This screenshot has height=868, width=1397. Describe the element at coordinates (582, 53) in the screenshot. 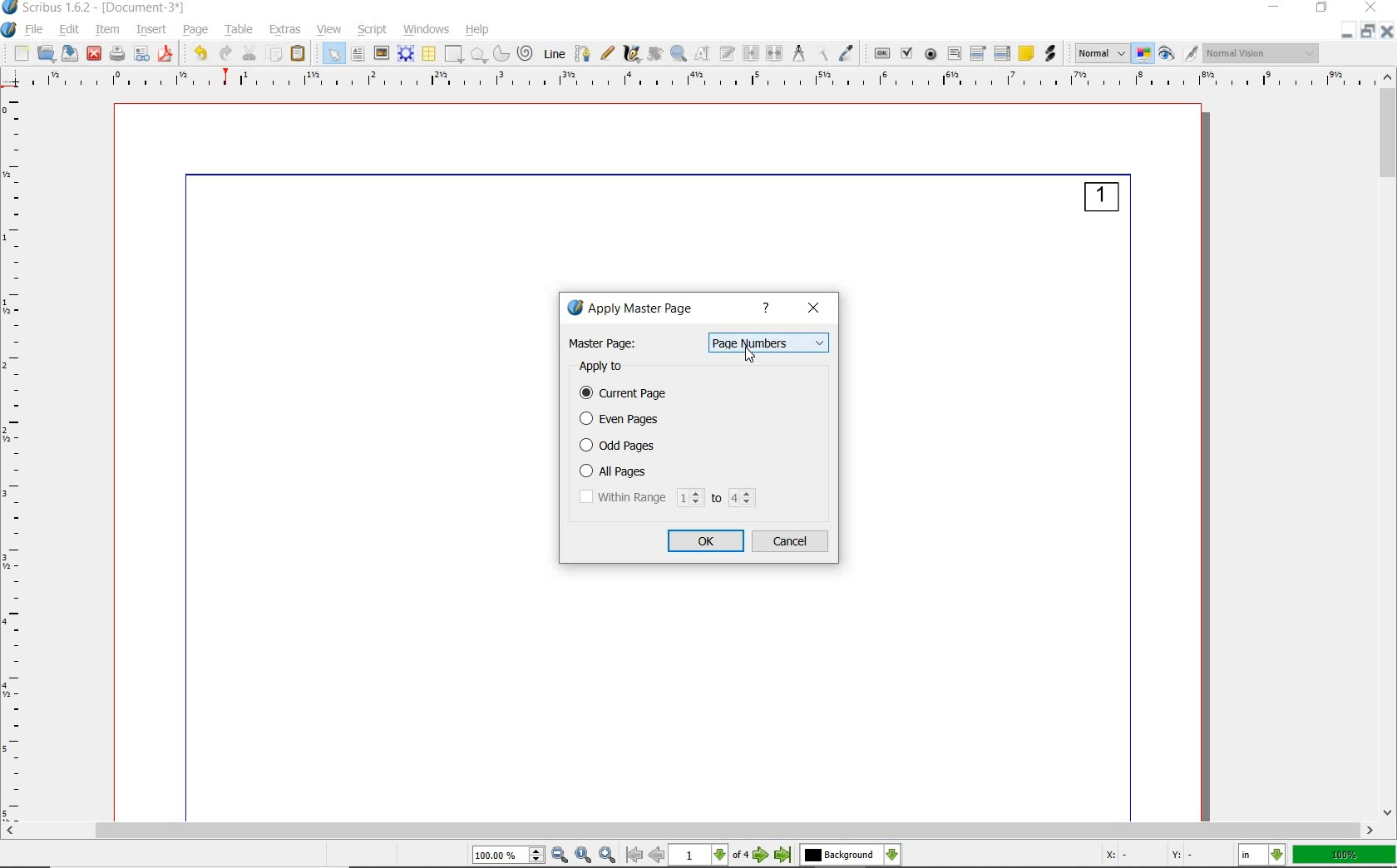

I see `Bezier curve` at that location.